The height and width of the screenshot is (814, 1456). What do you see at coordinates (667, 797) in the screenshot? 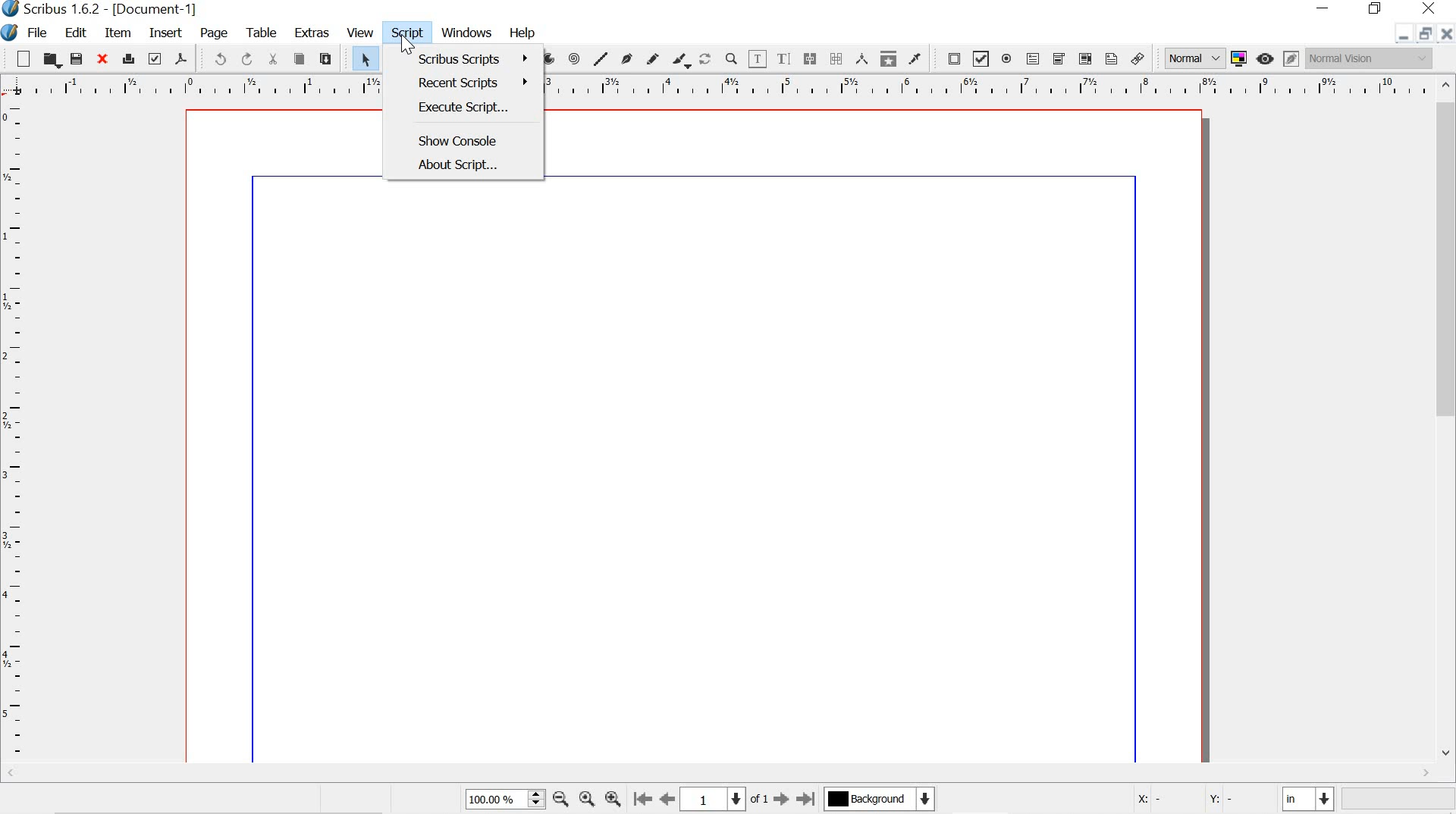
I see `Previous page` at bounding box center [667, 797].